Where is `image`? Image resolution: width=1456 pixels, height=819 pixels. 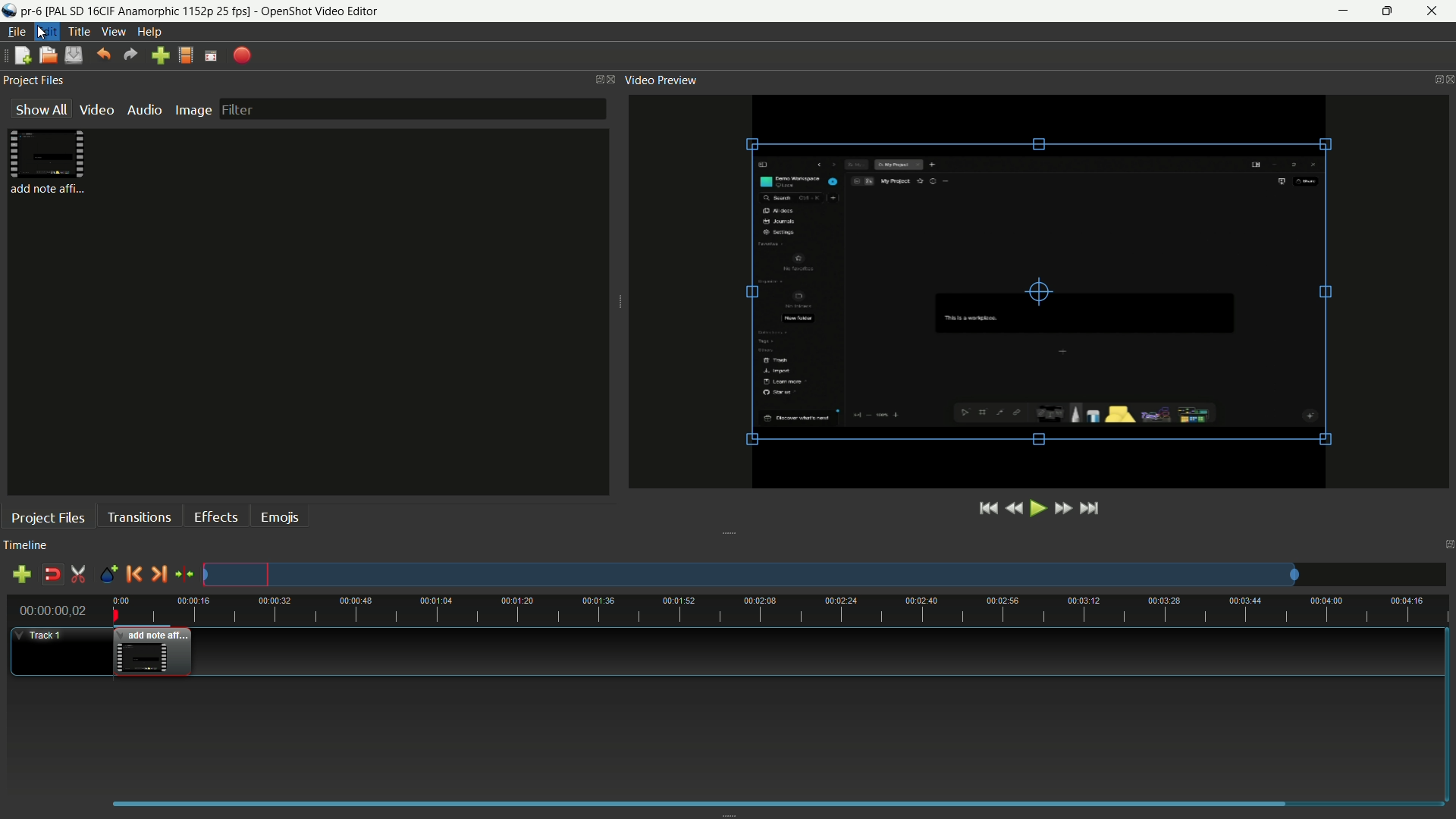
image is located at coordinates (193, 110).